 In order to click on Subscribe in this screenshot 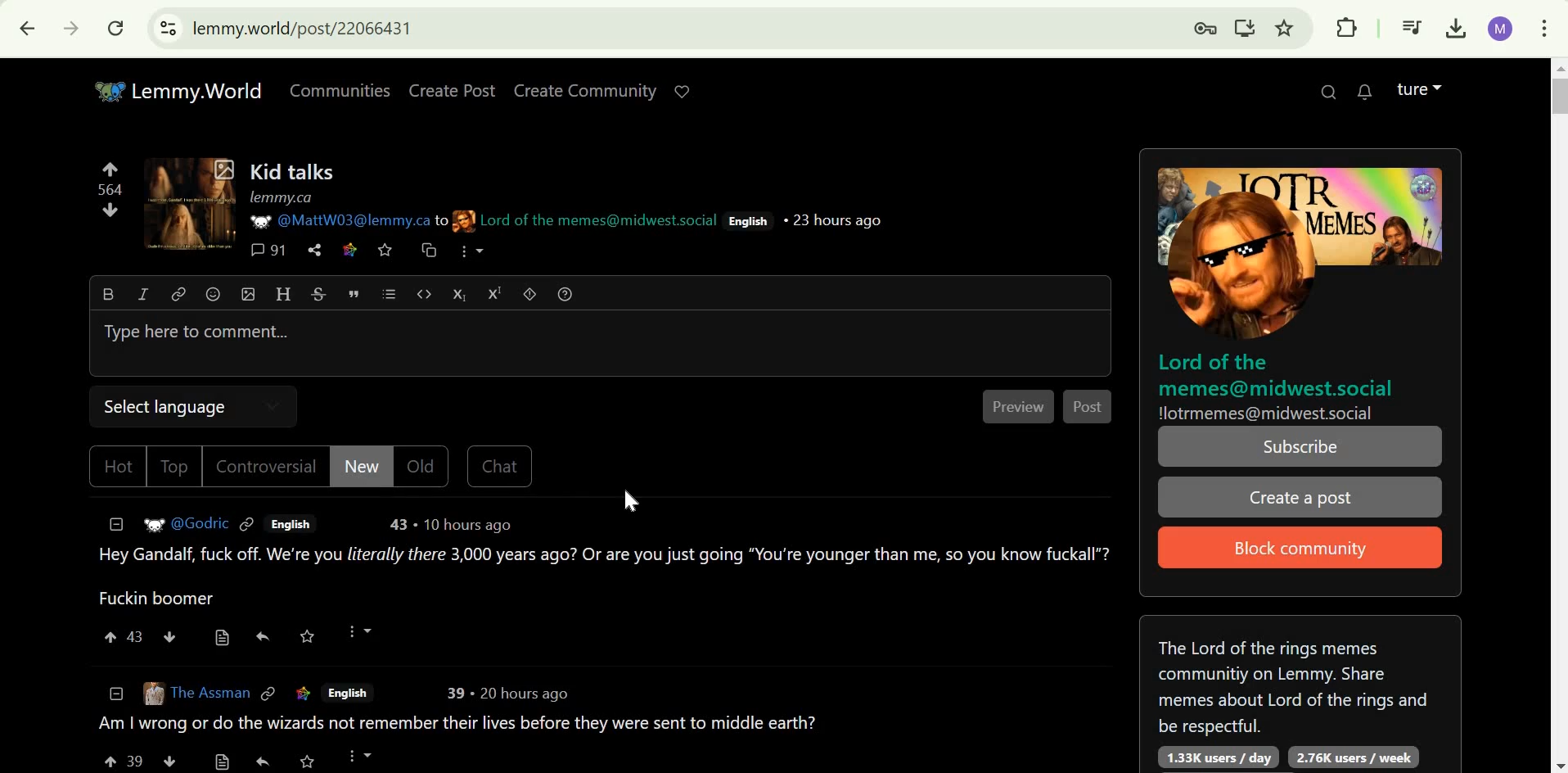, I will do `click(1300, 447)`.